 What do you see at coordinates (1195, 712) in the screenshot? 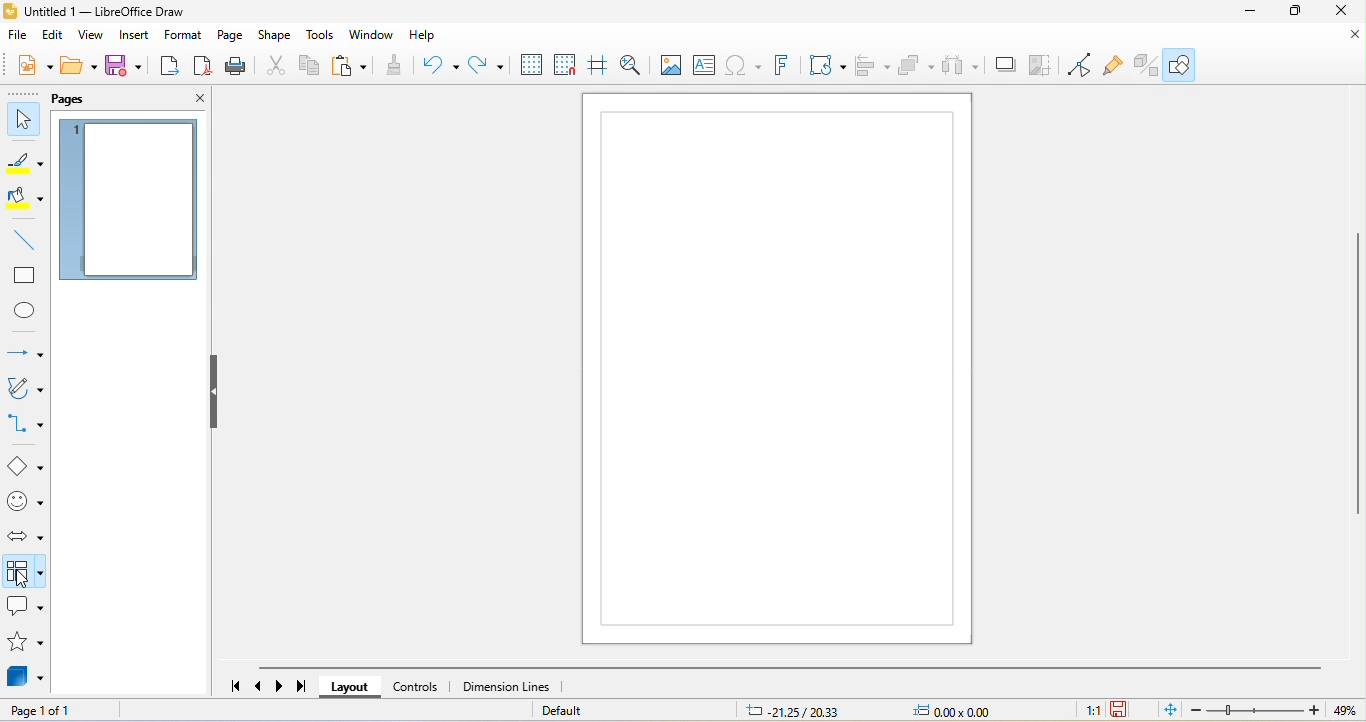
I see `zoom out` at bounding box center [1195, 712].